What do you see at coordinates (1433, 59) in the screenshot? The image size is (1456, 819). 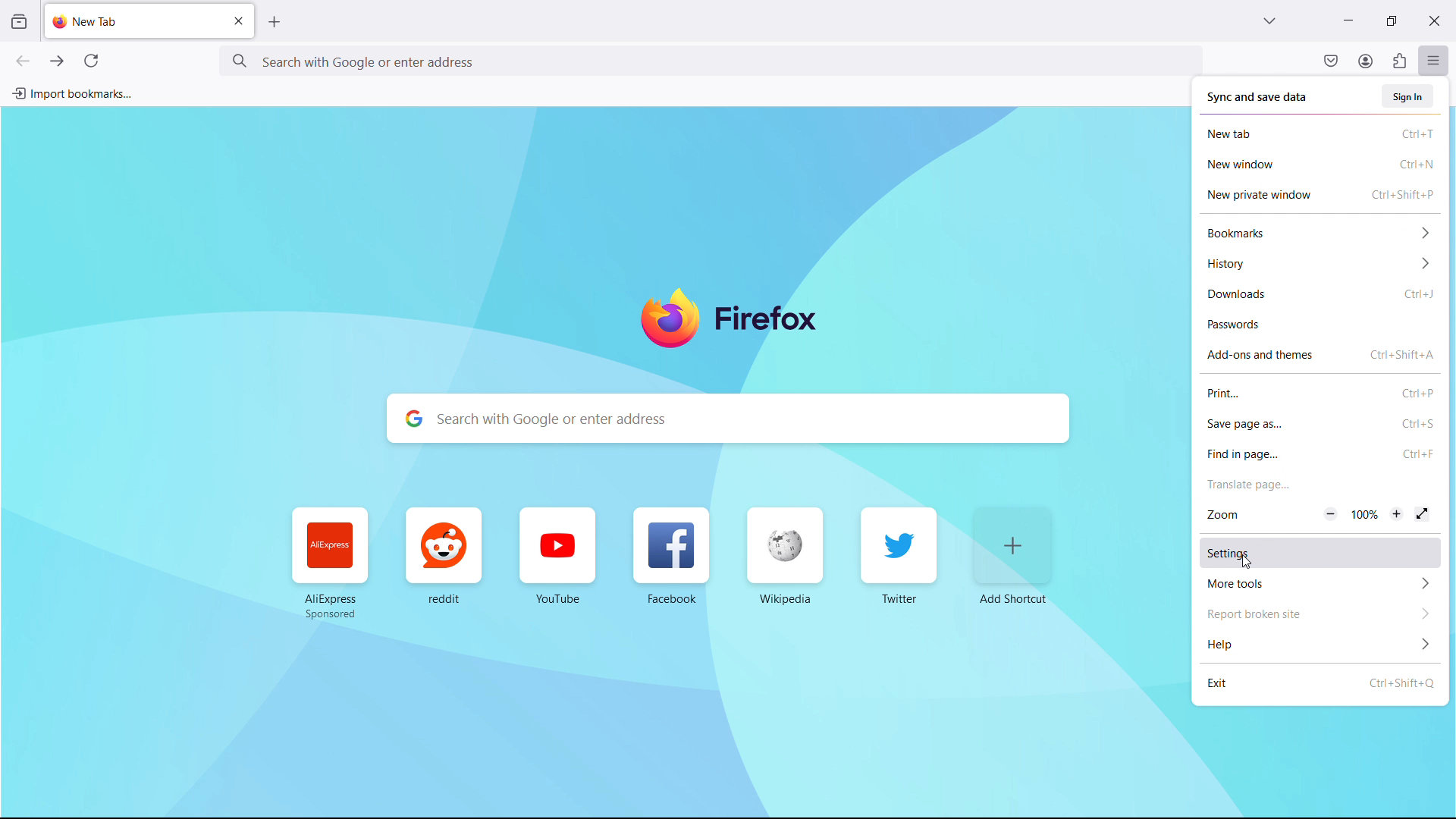 I see `open application menu` at bounding box center [1433, 59].